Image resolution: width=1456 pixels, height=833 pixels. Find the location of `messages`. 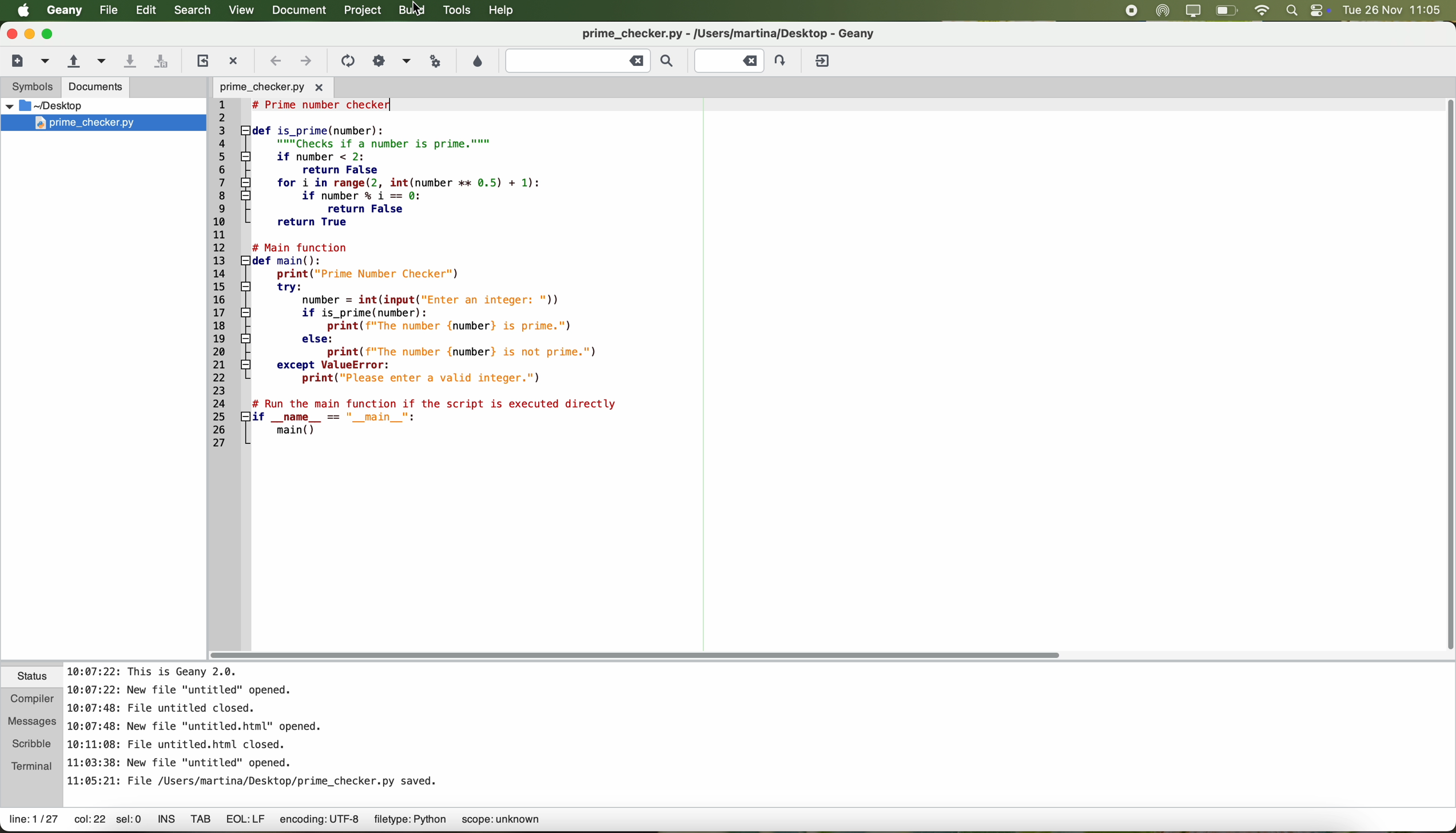

messages is located at coordinates (33, 718).